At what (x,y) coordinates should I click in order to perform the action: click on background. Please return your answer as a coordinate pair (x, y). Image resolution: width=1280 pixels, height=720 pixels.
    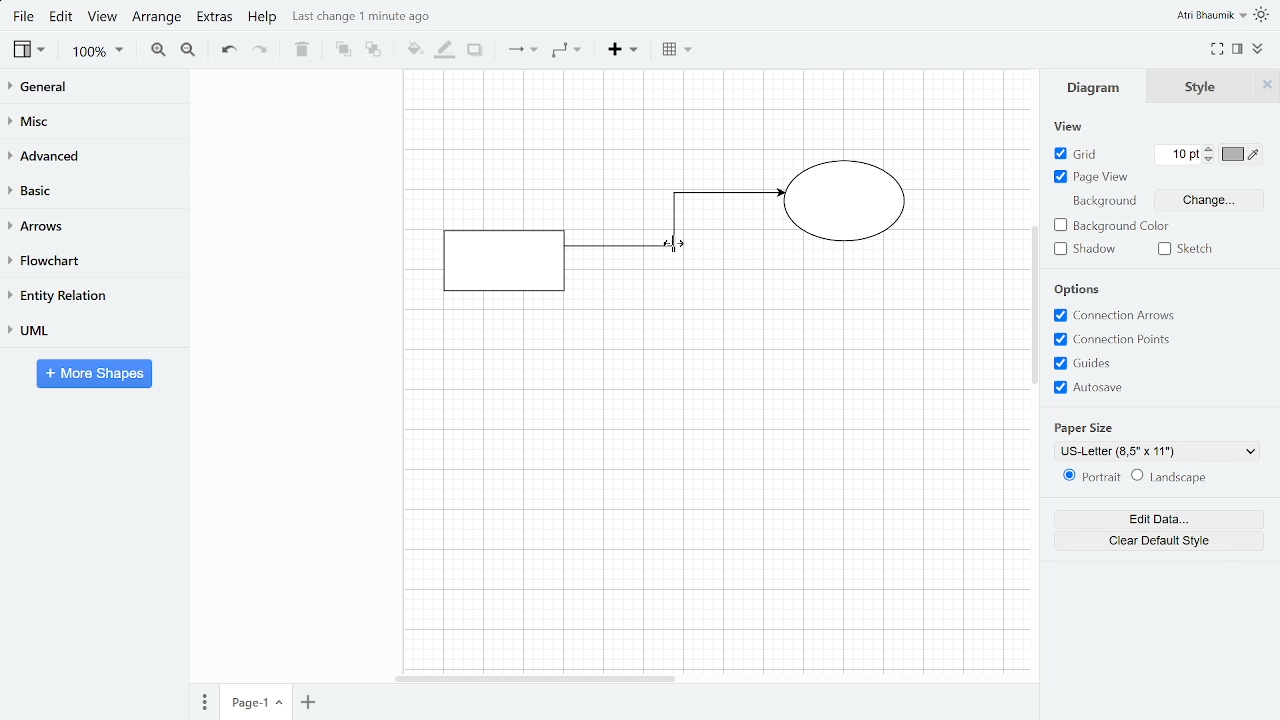
    Looking at the image, I should click on (1102, 202).